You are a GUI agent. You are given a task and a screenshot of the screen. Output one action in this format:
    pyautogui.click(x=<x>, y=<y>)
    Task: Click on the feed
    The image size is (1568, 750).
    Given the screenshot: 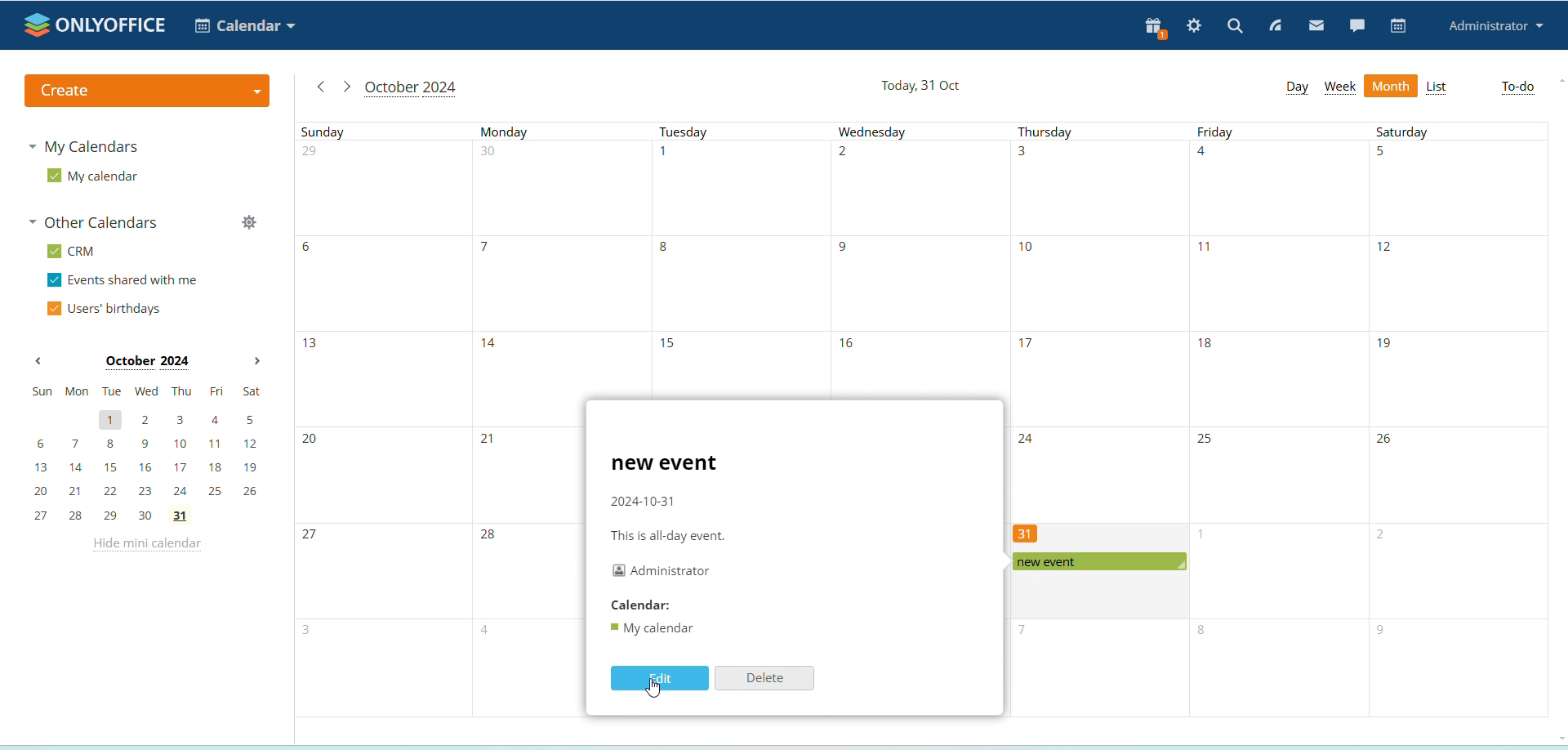 What is the action you would take?
    pyautogui.click(x=1276, y=27)
    